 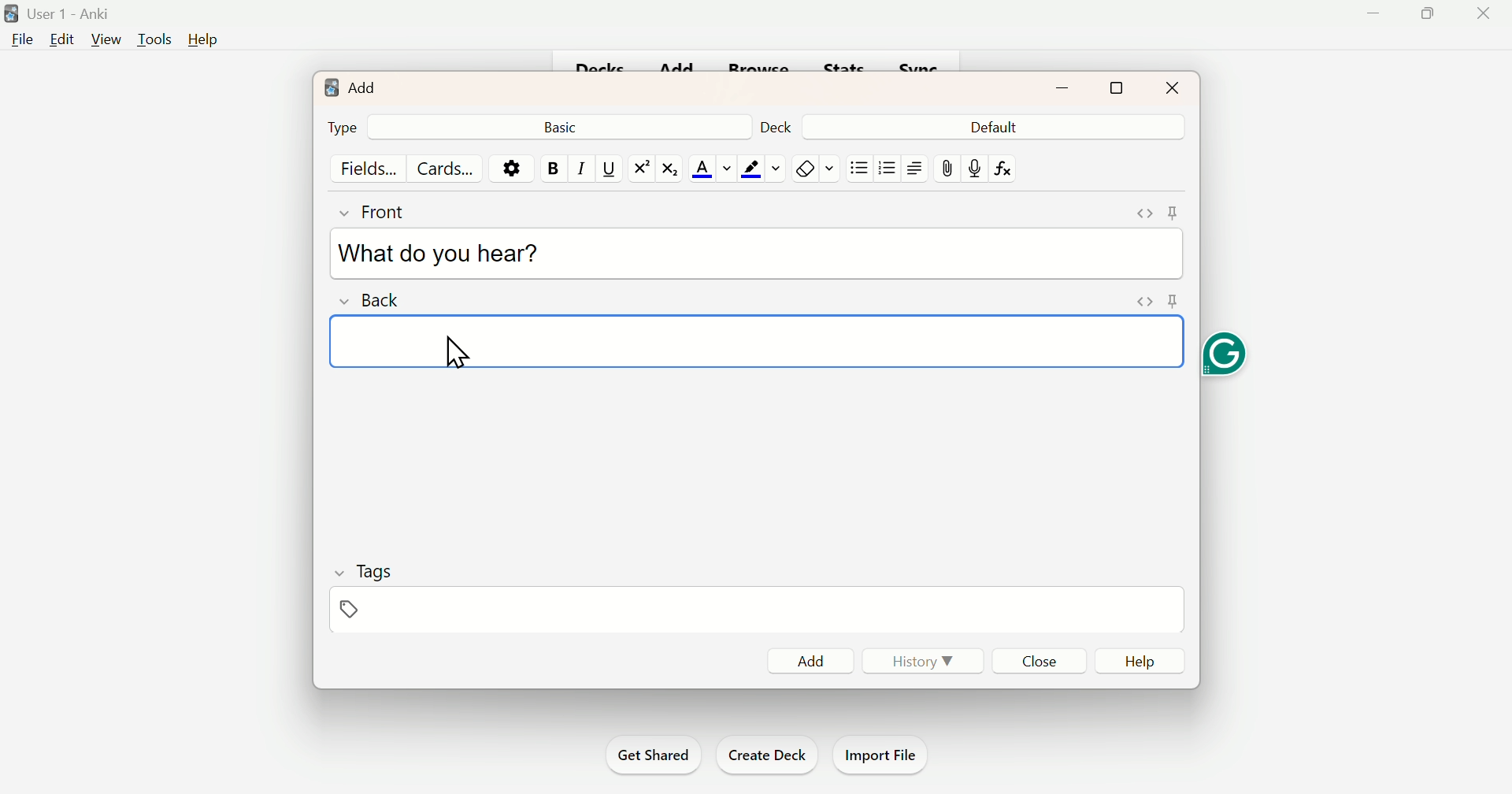 I want to click on Import File, so click(x=886, y=755).